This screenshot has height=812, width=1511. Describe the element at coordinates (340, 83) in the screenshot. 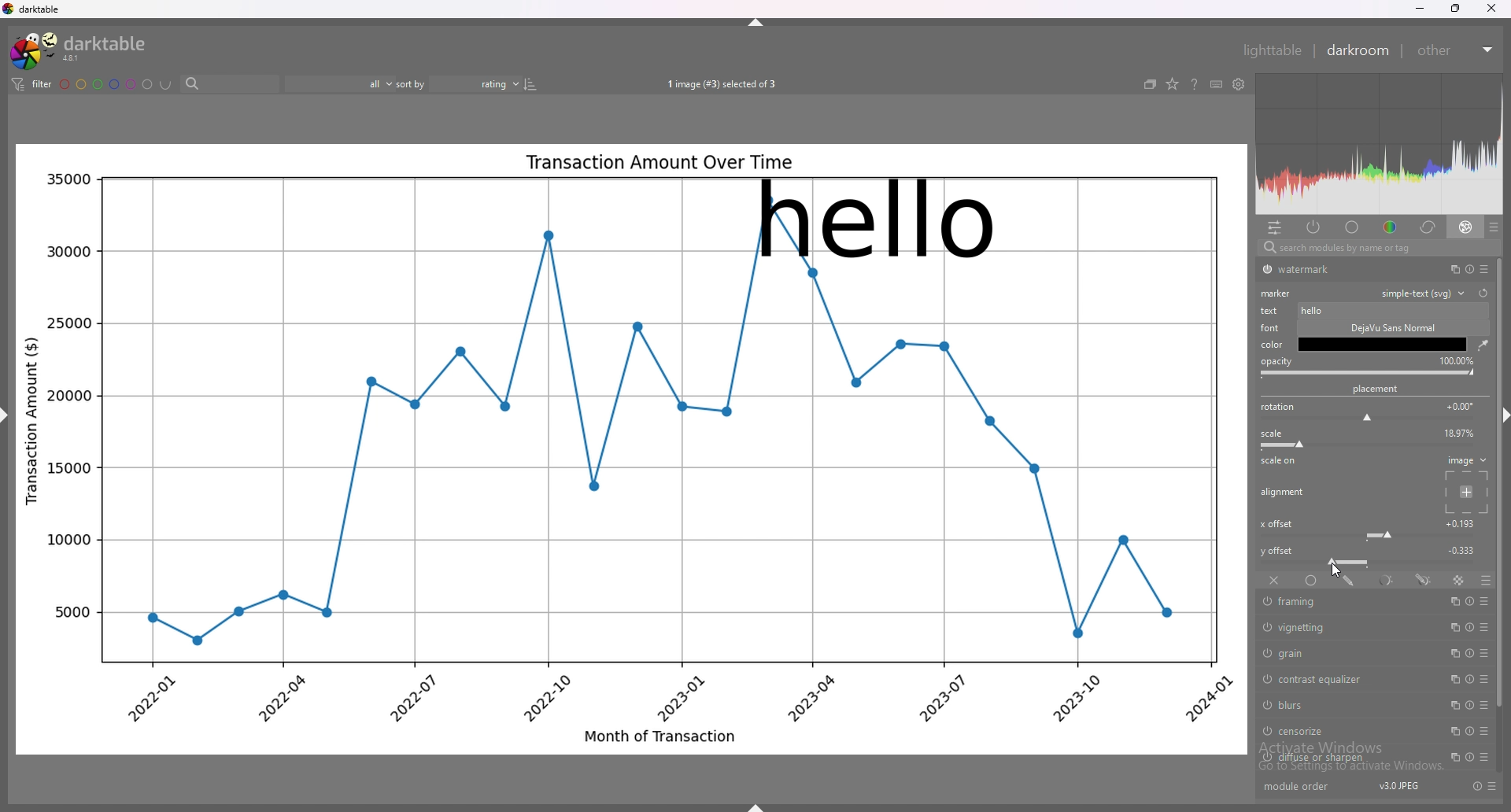

I see `filter by rating` at that location.